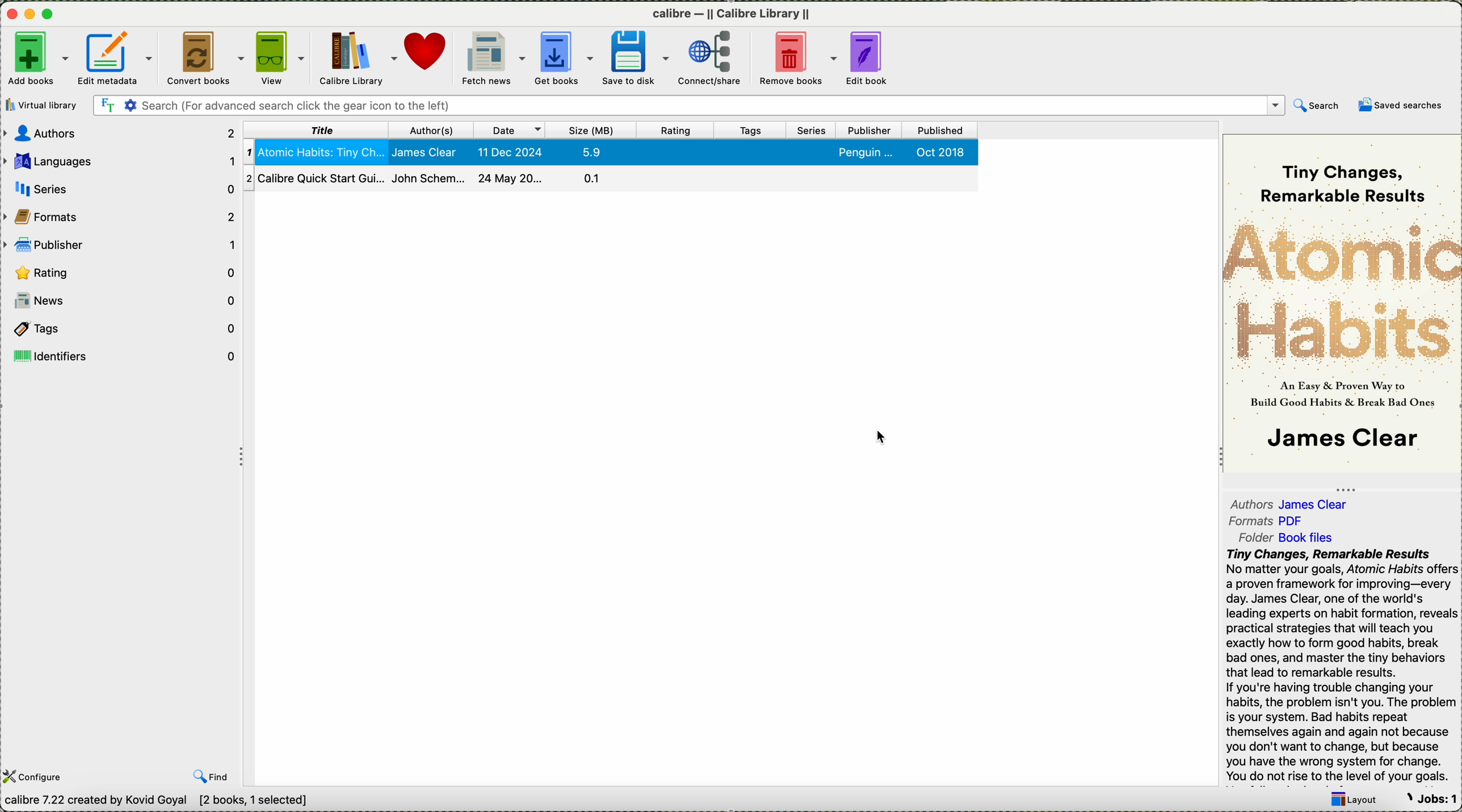 The image size is (1462, 812). Describe the element at coordinates (1404, 106) in the screenshot. I see `saved searches` at that location.